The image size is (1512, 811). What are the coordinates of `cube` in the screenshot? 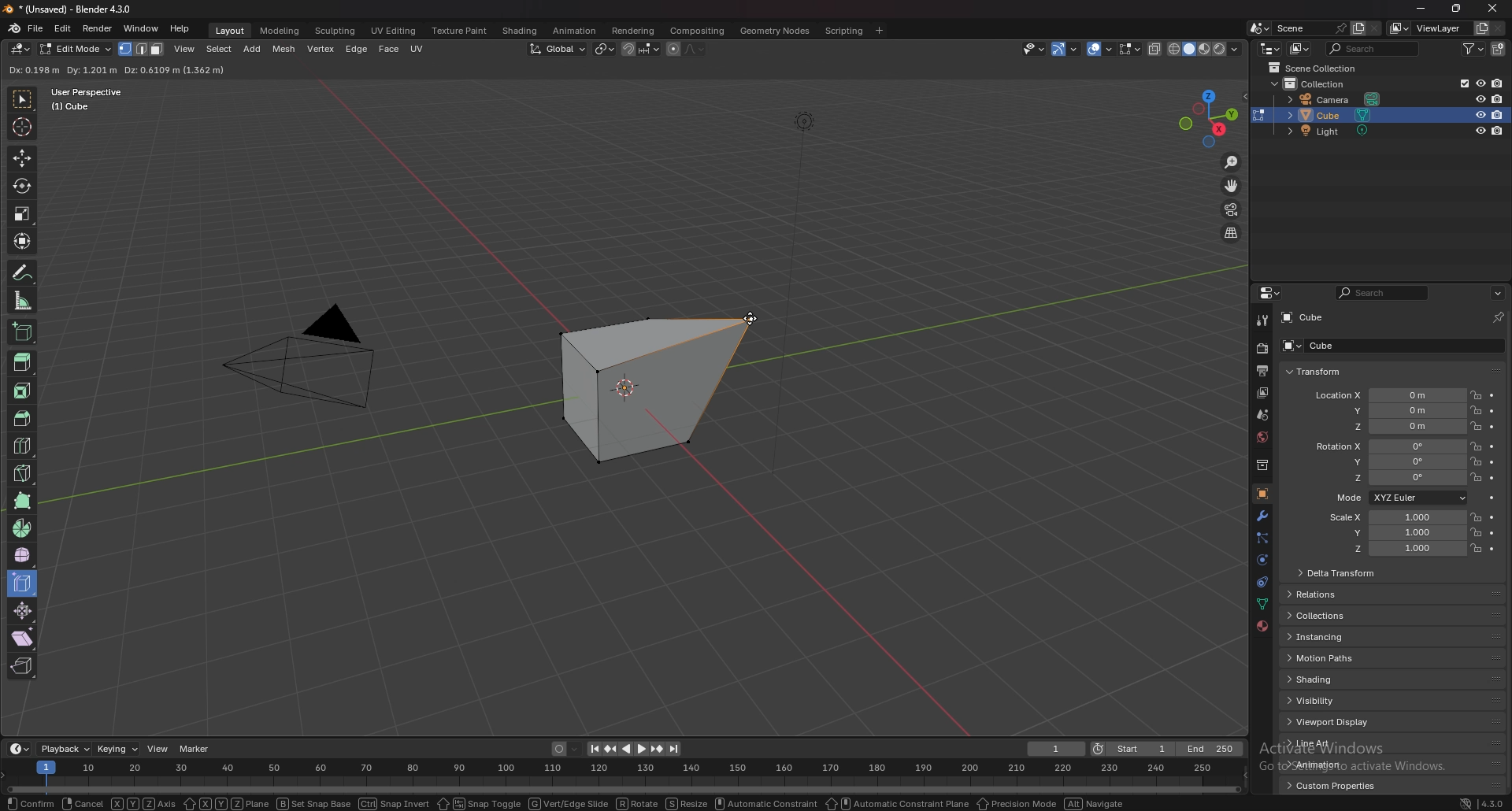 It's located at (1381, 115).